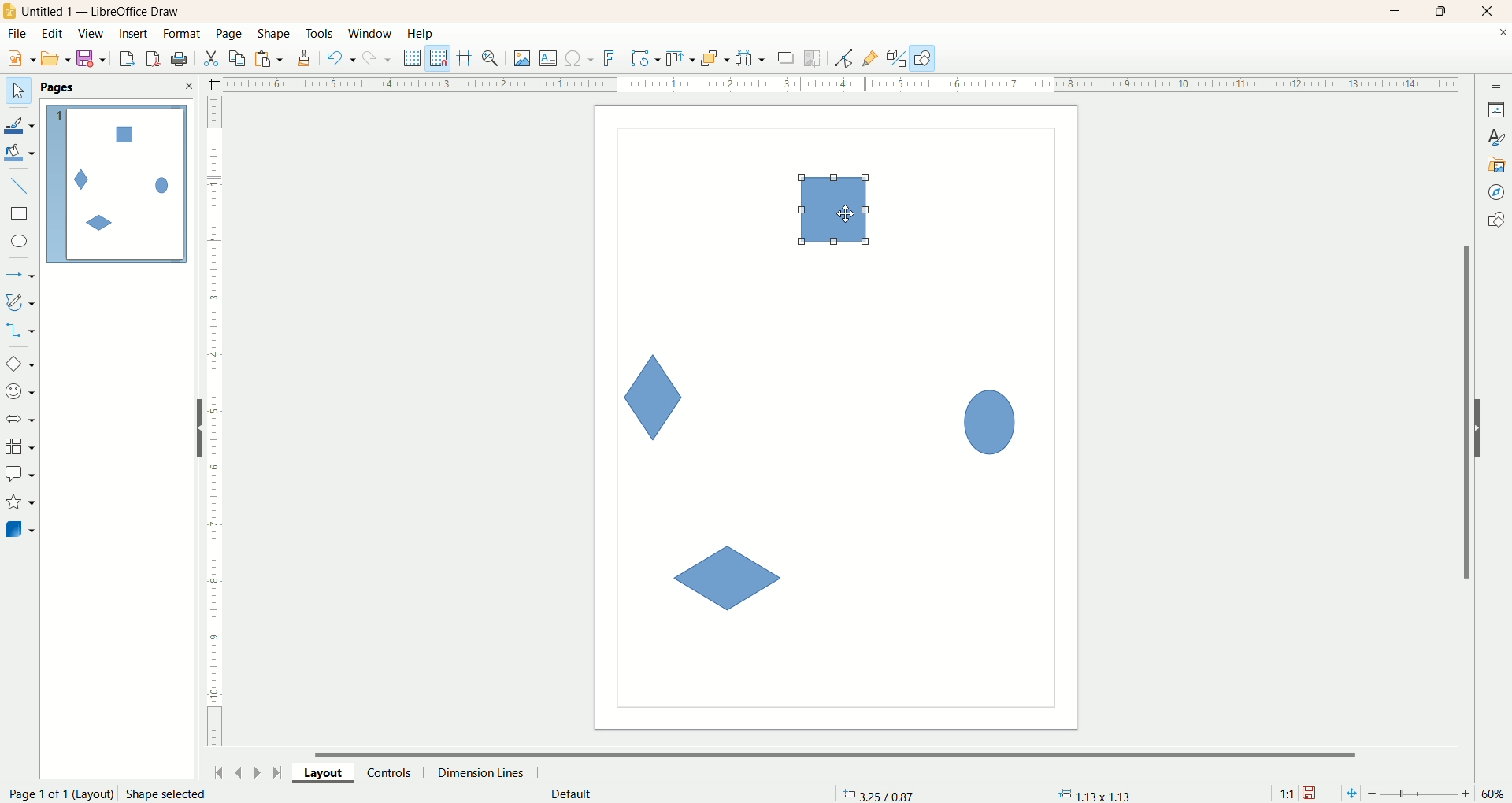 This screenshot has height=803, width=1512. What do you see at coordinates (21, 302) in the screenshot?
I see `curves and polygon` at bounding box center [21, 302].